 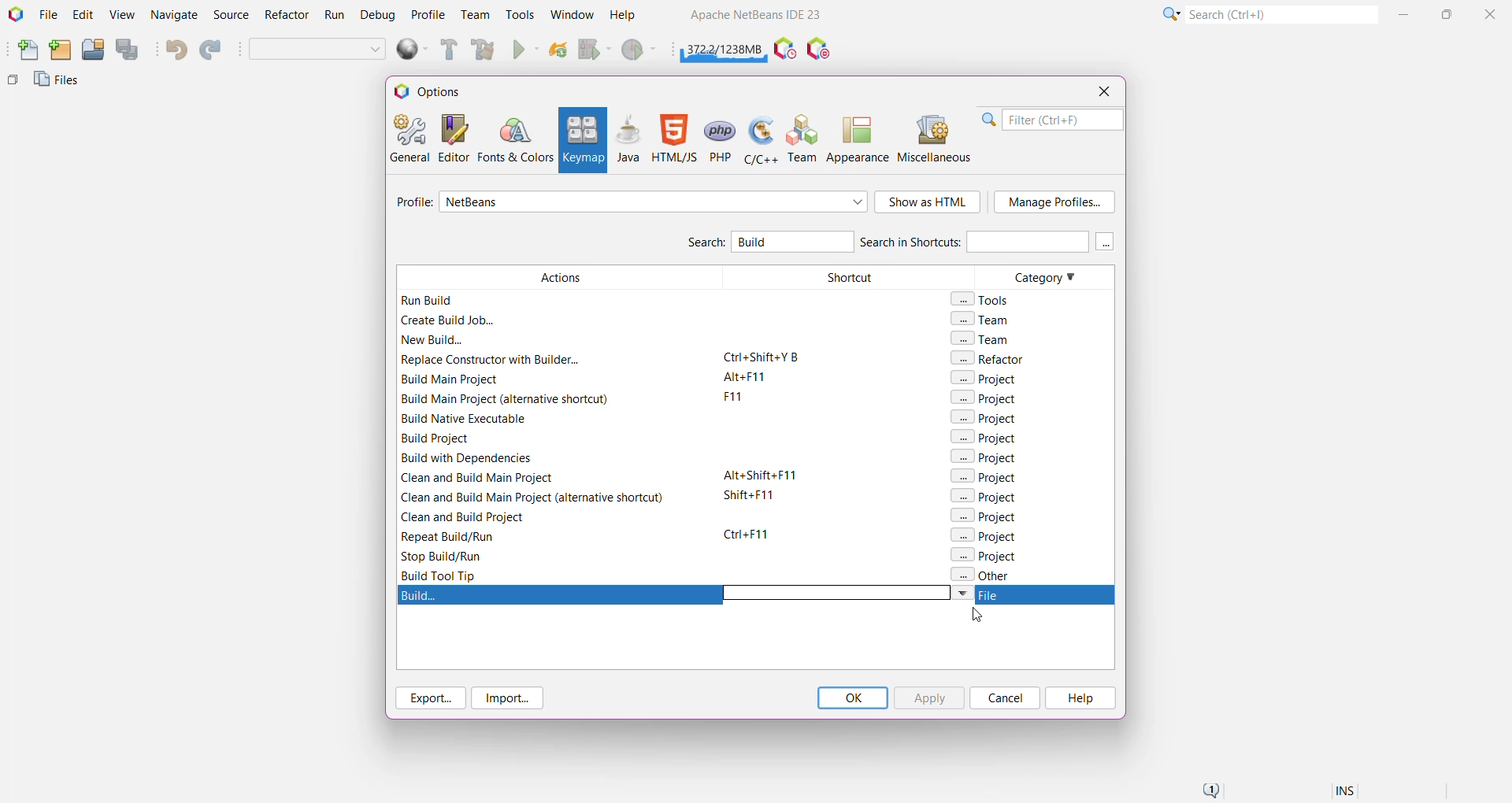 What do you see at coordinates (1210, 791) in the screenshot?
I see `Notifications` at bounding box center [1210, 791].